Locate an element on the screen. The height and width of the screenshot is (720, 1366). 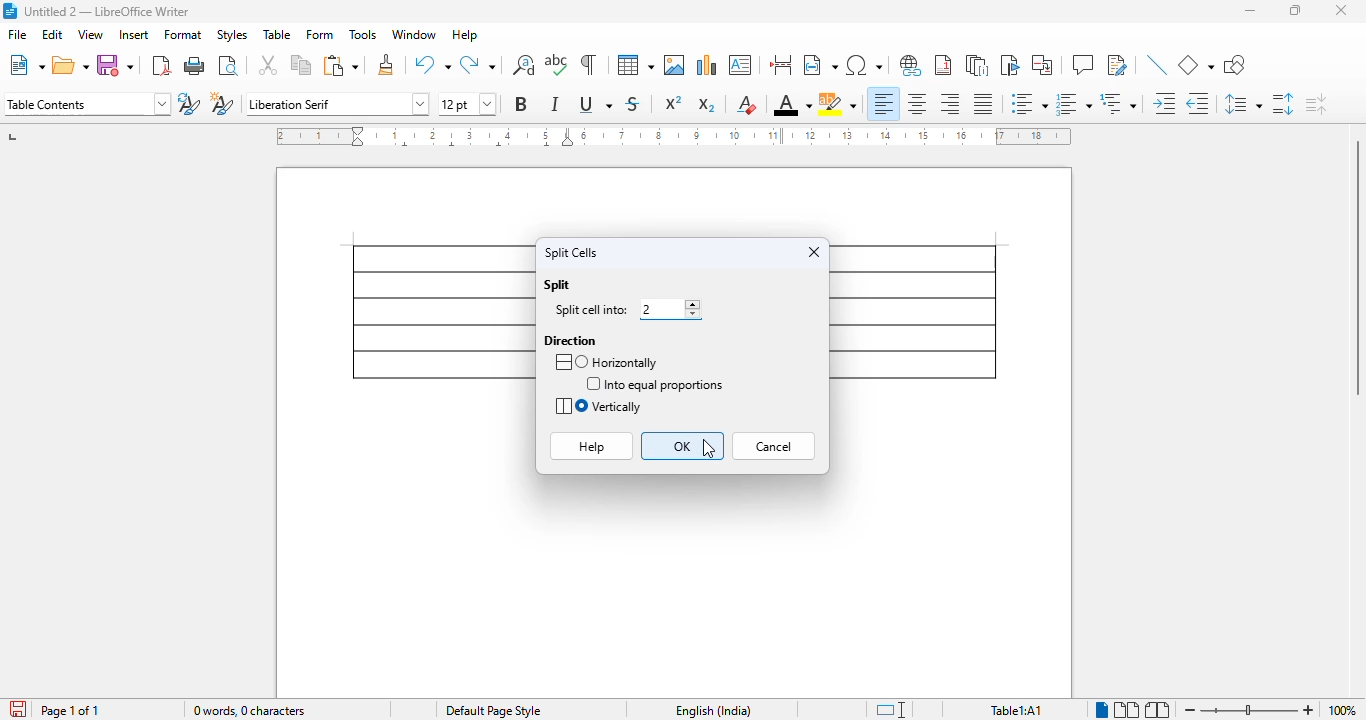
align left is located at coordinates (884, 104).